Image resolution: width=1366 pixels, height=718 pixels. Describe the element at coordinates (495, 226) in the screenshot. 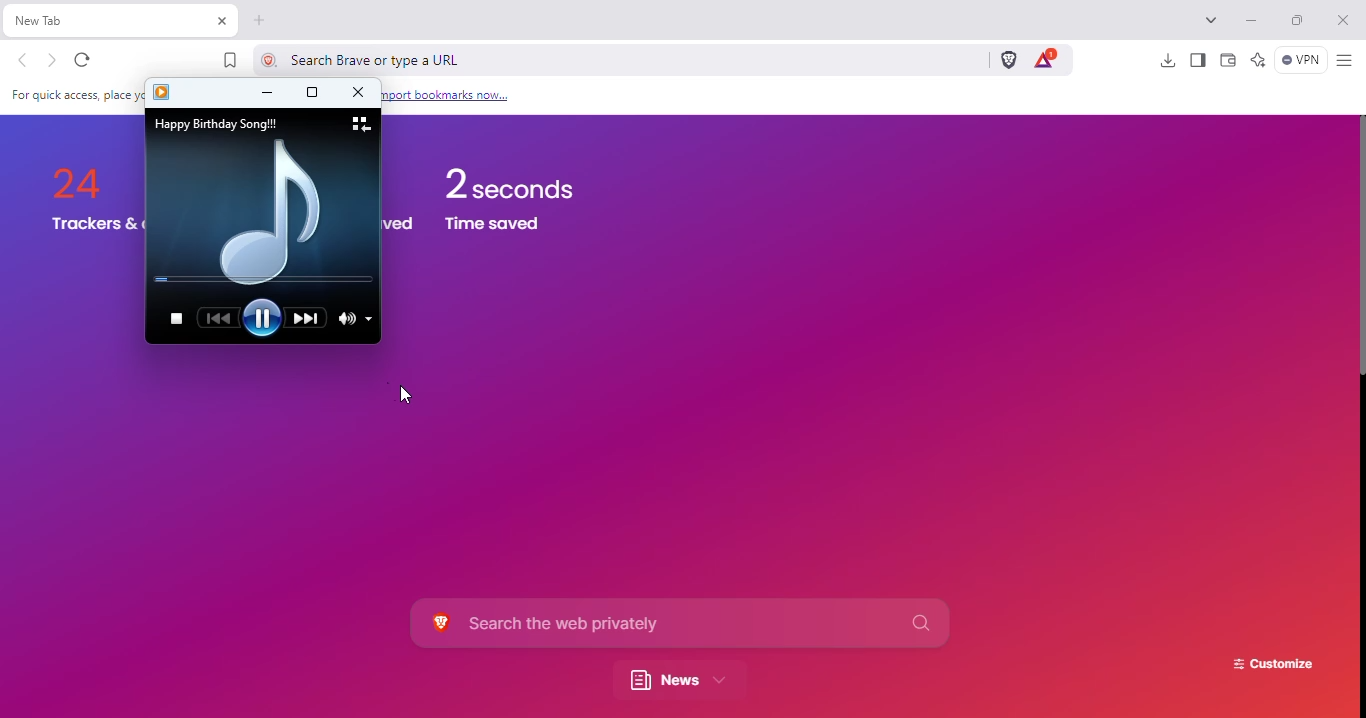

I see `Time saved` at that location.